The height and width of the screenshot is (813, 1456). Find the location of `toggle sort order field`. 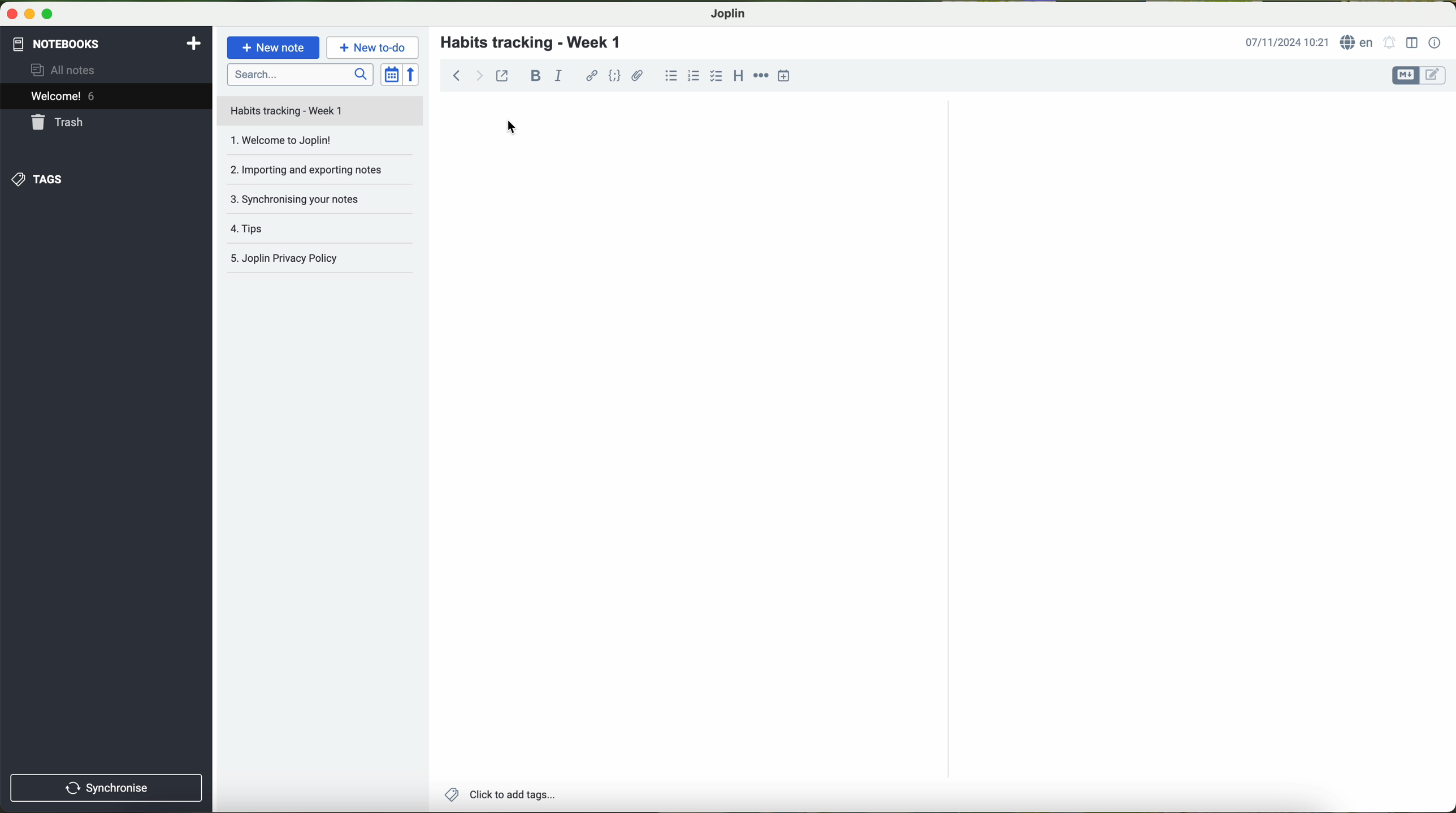

toggle sort order field is located at coordinates (391, 74).